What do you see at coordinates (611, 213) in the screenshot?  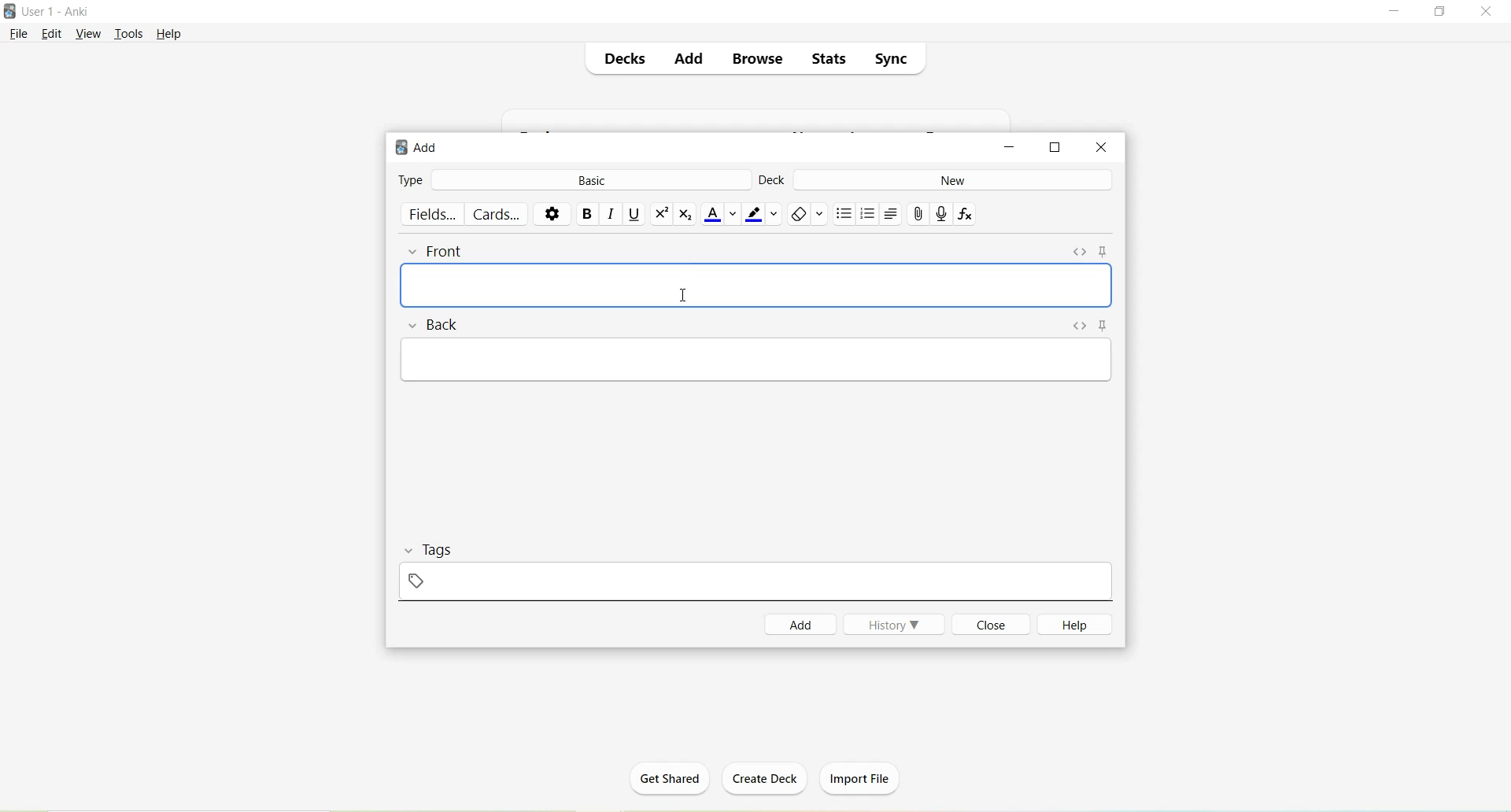 I see `Italic` at bounding box center [611, 213].